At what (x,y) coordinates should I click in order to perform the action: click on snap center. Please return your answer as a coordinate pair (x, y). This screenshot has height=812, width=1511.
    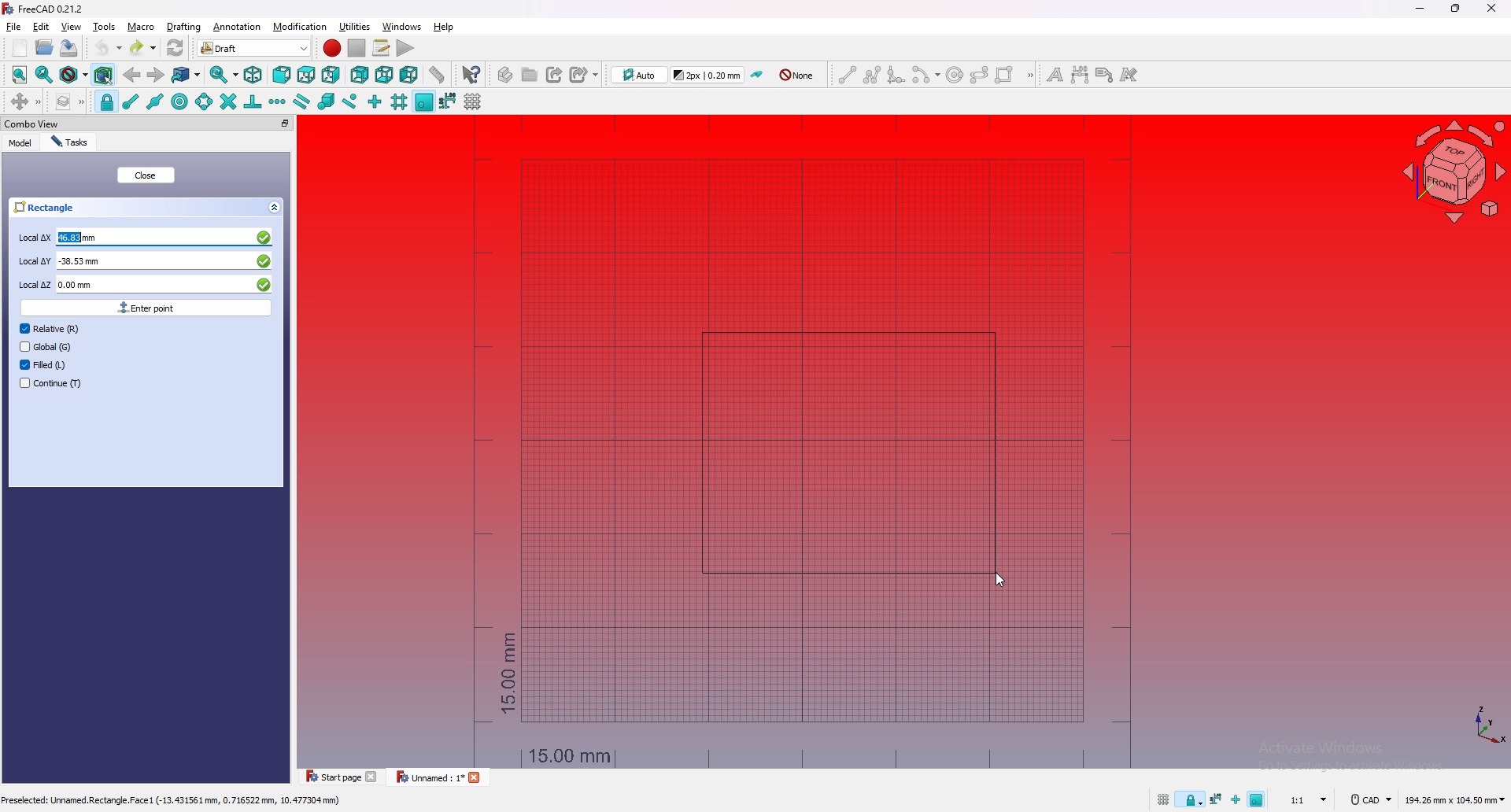
    Looking at the image, I should click on (179, 101).